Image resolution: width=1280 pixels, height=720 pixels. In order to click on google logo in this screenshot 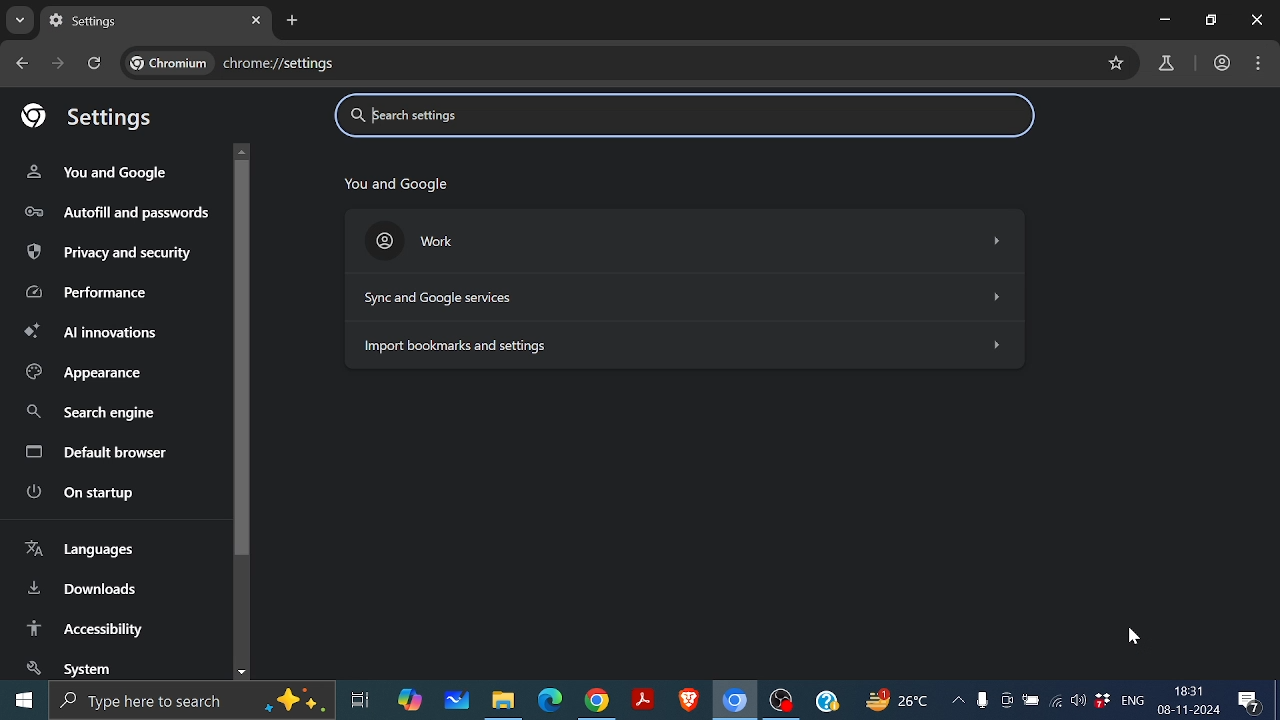, I will do `click(30, 115)`.